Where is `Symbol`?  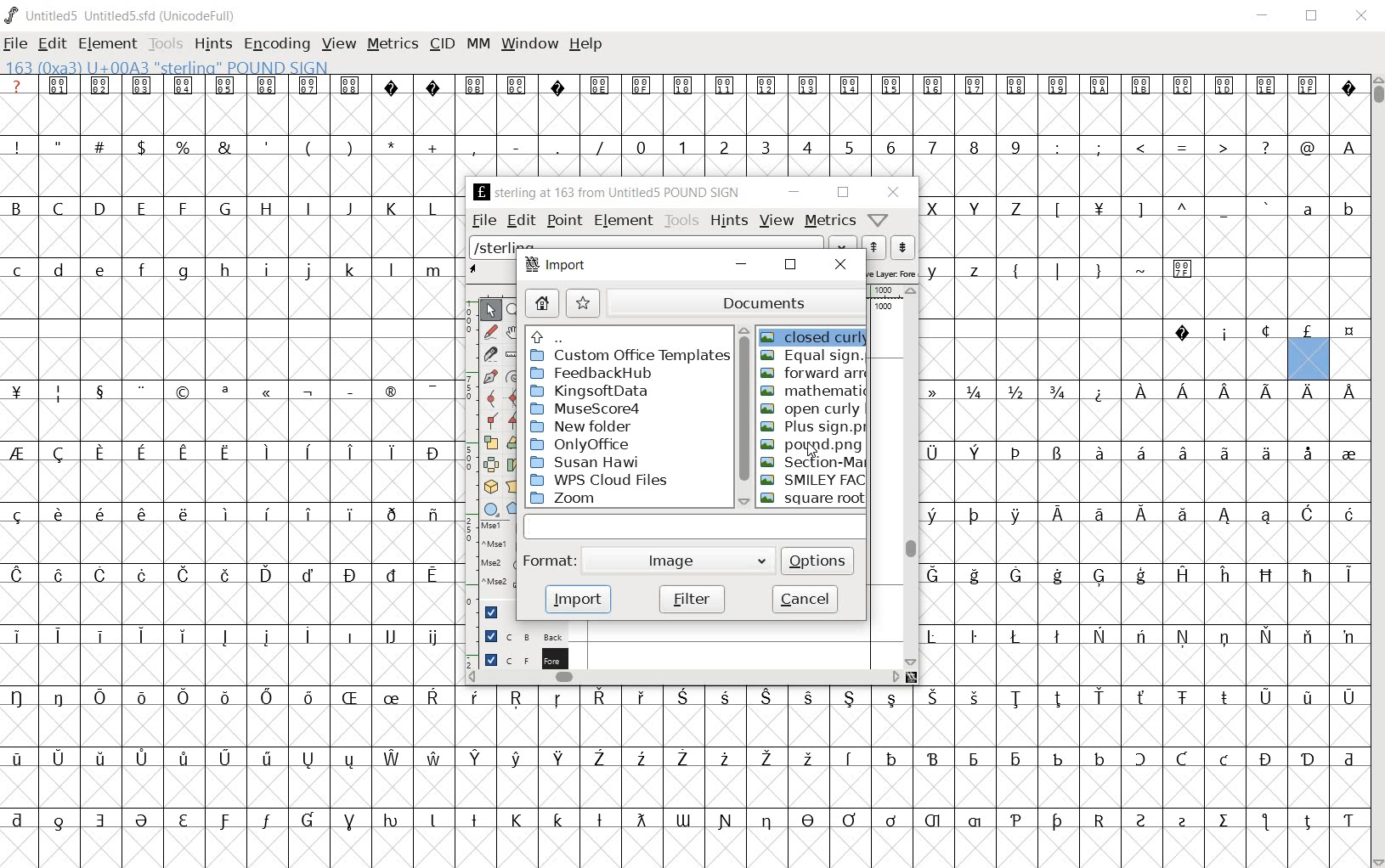
Symbol is located at coordinates (1183, 87).